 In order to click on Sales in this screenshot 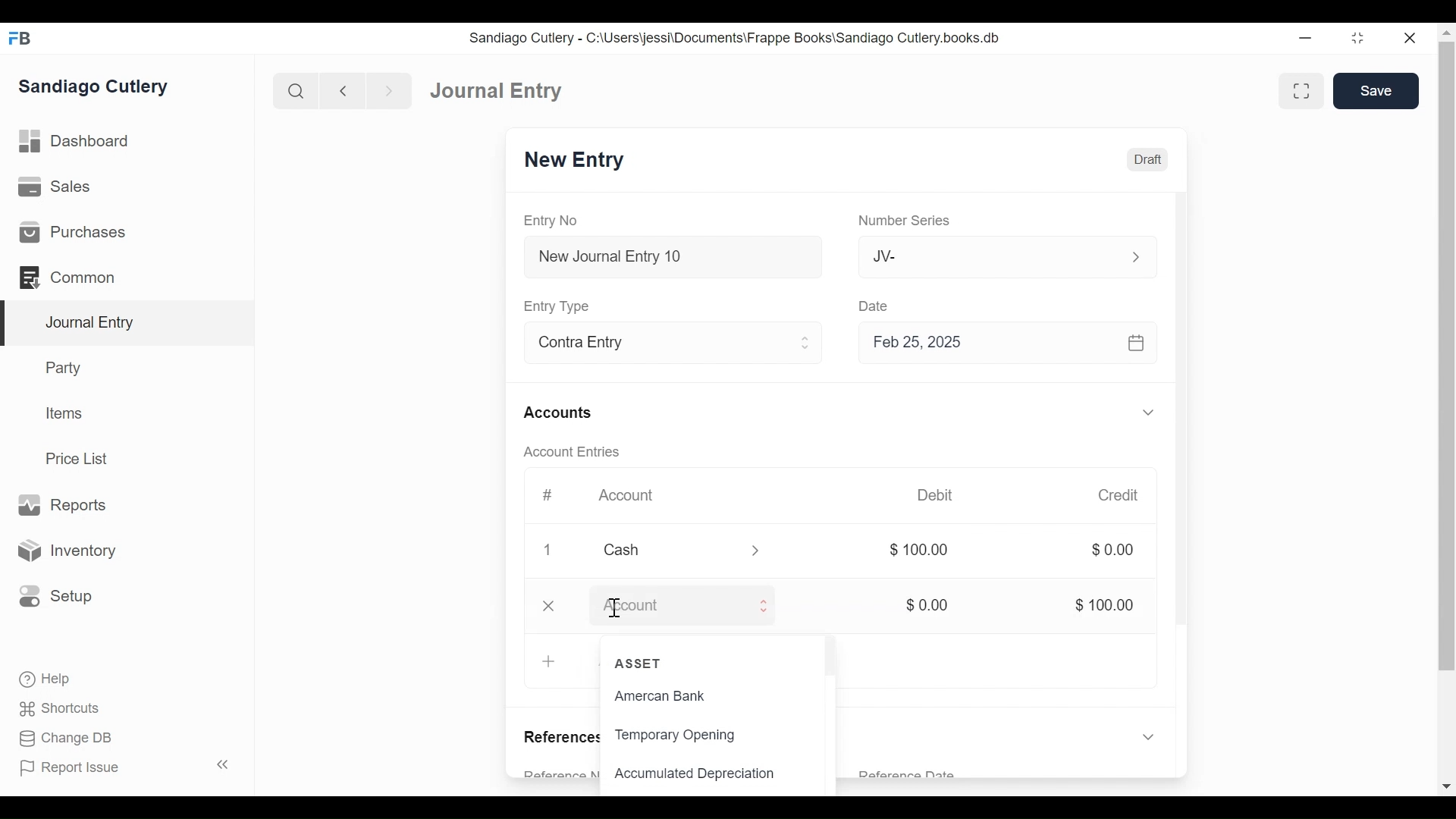, I will do `click(53, 188)`.